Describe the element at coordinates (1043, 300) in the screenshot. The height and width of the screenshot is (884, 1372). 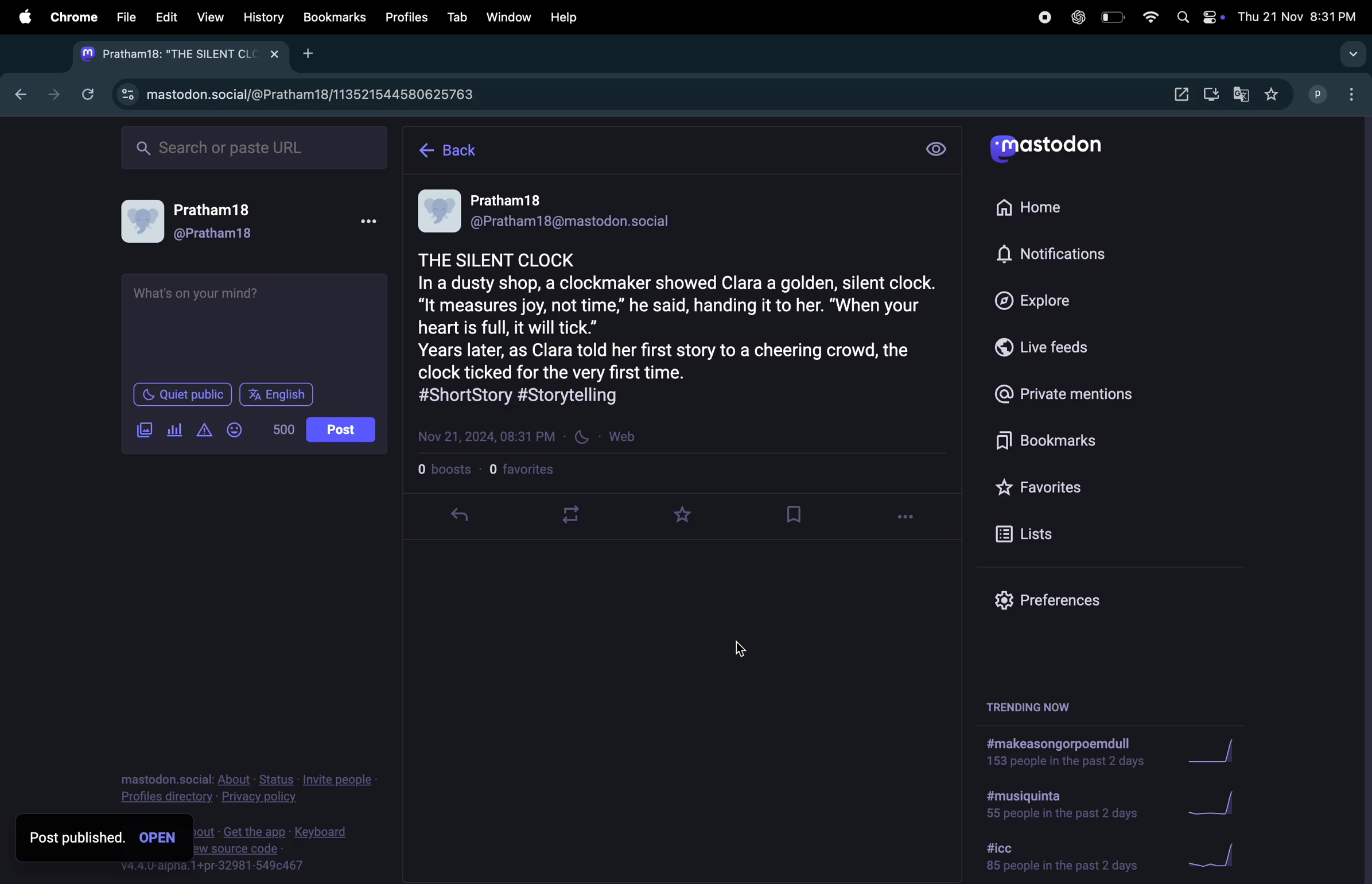
I see `explore` at that location.